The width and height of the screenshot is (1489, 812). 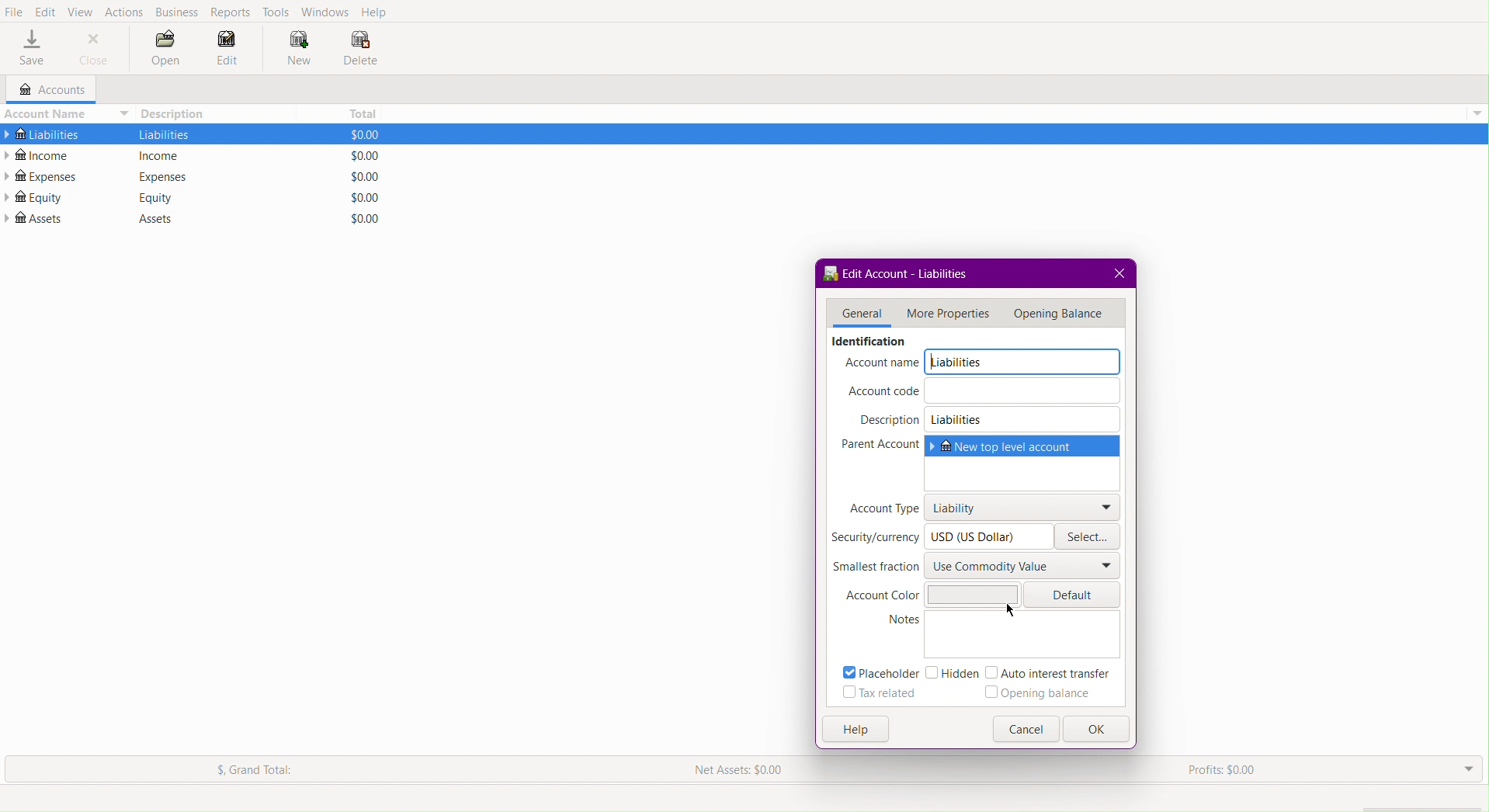 I want to click on Liabilities, so click(x=957, y=419).